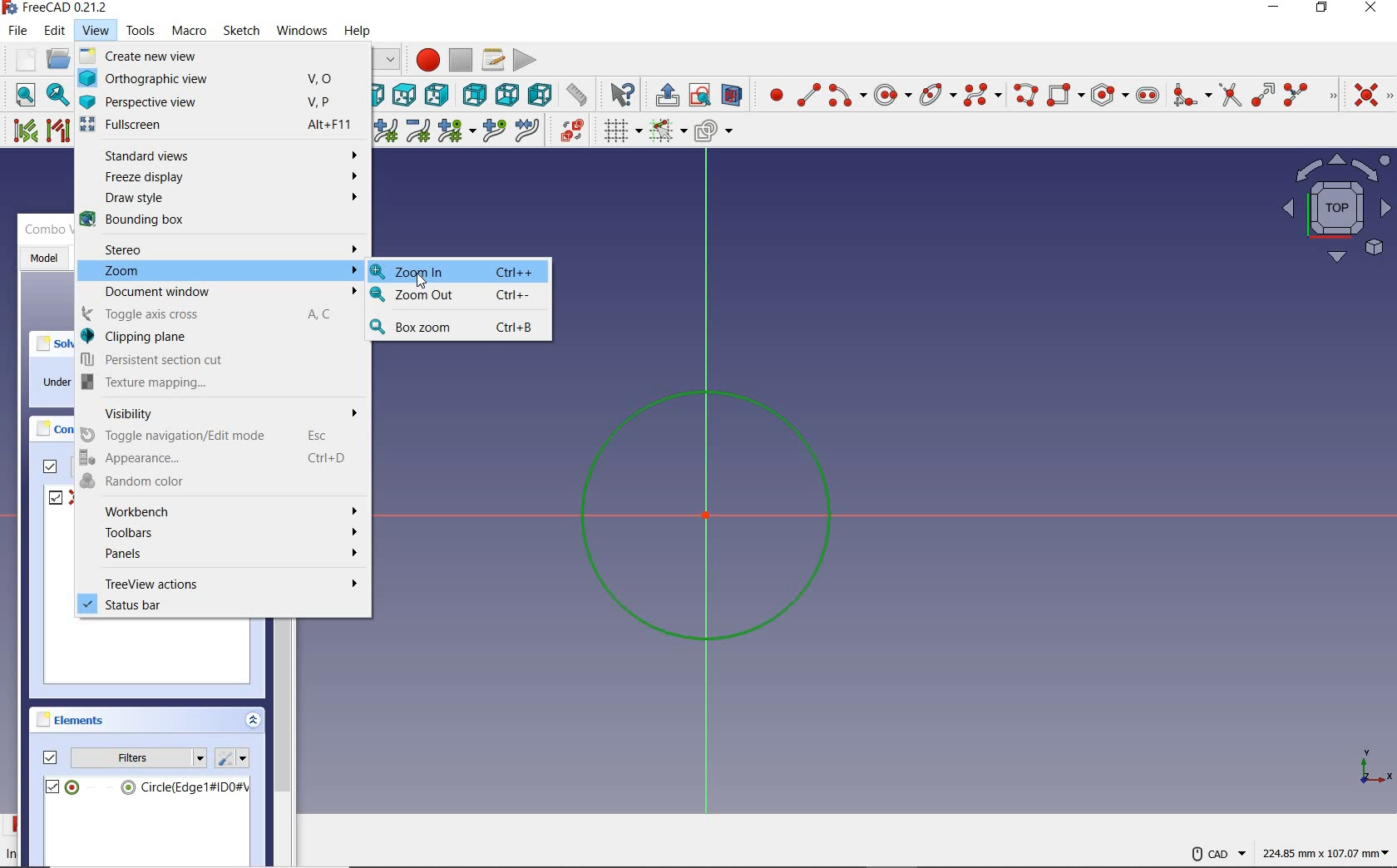 Image resolution: width=1397 pixels, height=868 pixels. Describe the element at coordinates (620, 94) in the screenshot. I see `what's this?` at that location.